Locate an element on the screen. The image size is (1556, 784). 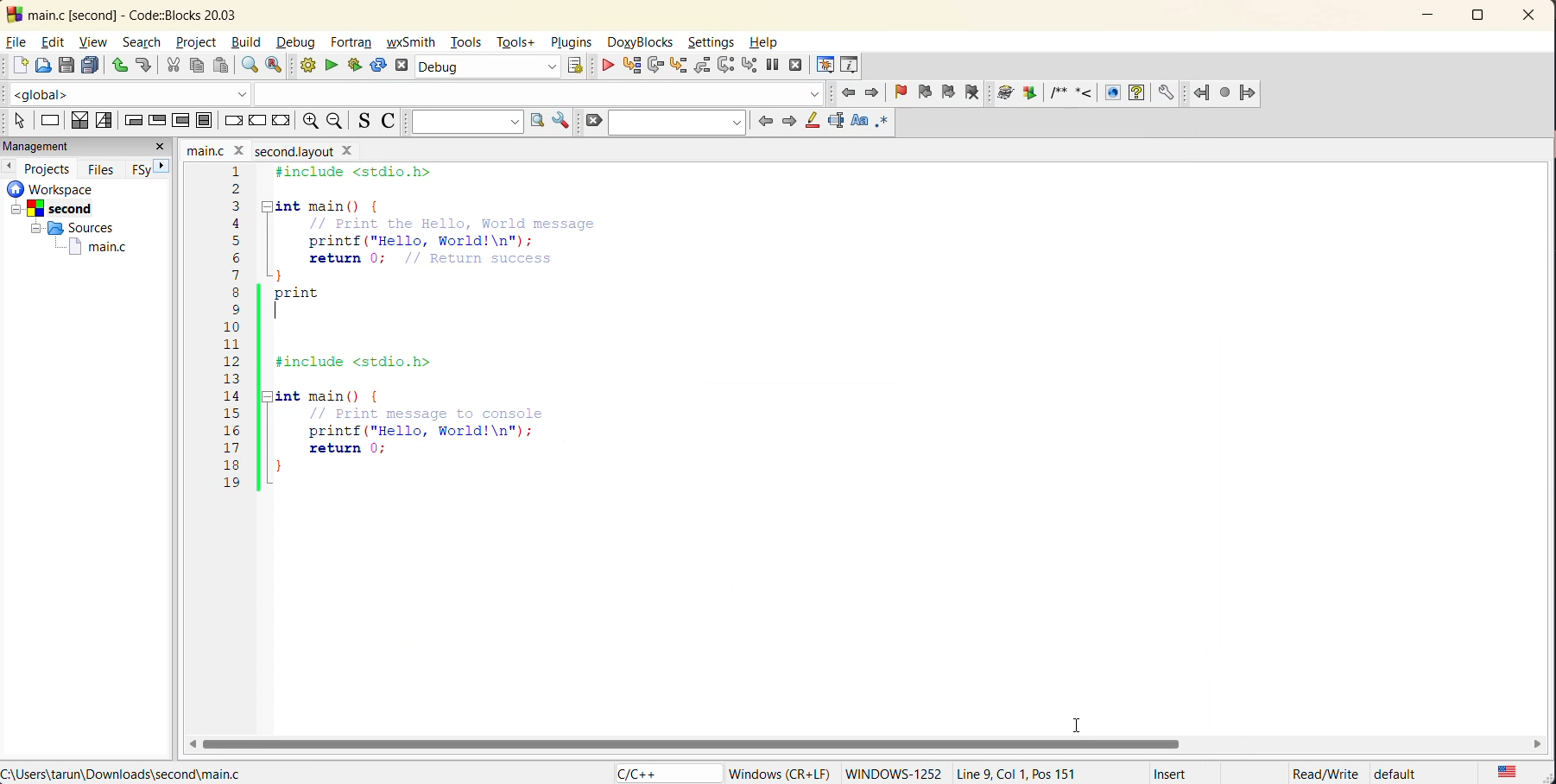
Sources is located at coordinates (66, 228).